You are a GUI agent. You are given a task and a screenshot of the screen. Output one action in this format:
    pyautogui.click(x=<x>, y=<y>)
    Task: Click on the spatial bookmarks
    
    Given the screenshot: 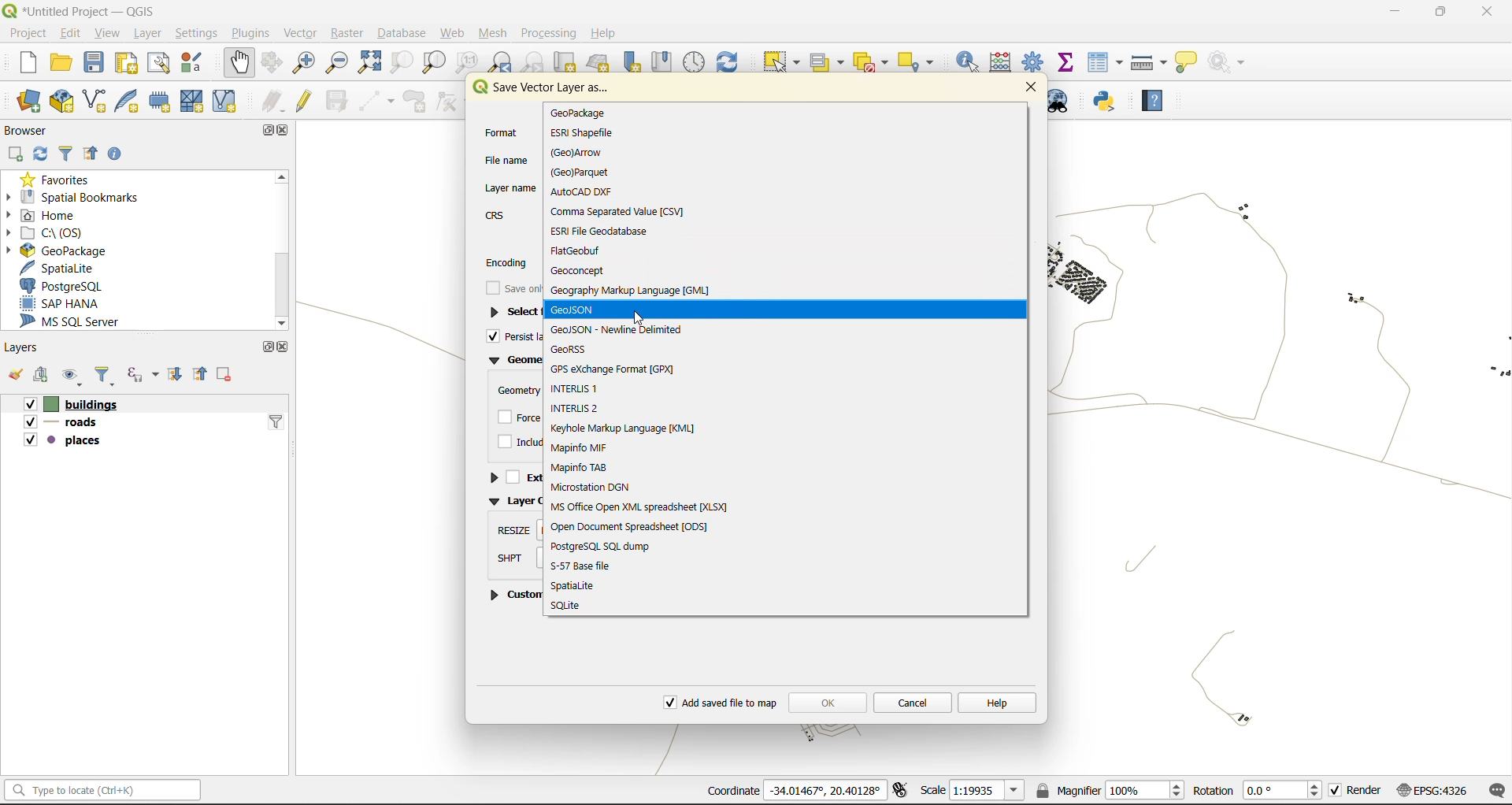 What is the action you would take?
    pyautogui.click(x=81, y=198)
    